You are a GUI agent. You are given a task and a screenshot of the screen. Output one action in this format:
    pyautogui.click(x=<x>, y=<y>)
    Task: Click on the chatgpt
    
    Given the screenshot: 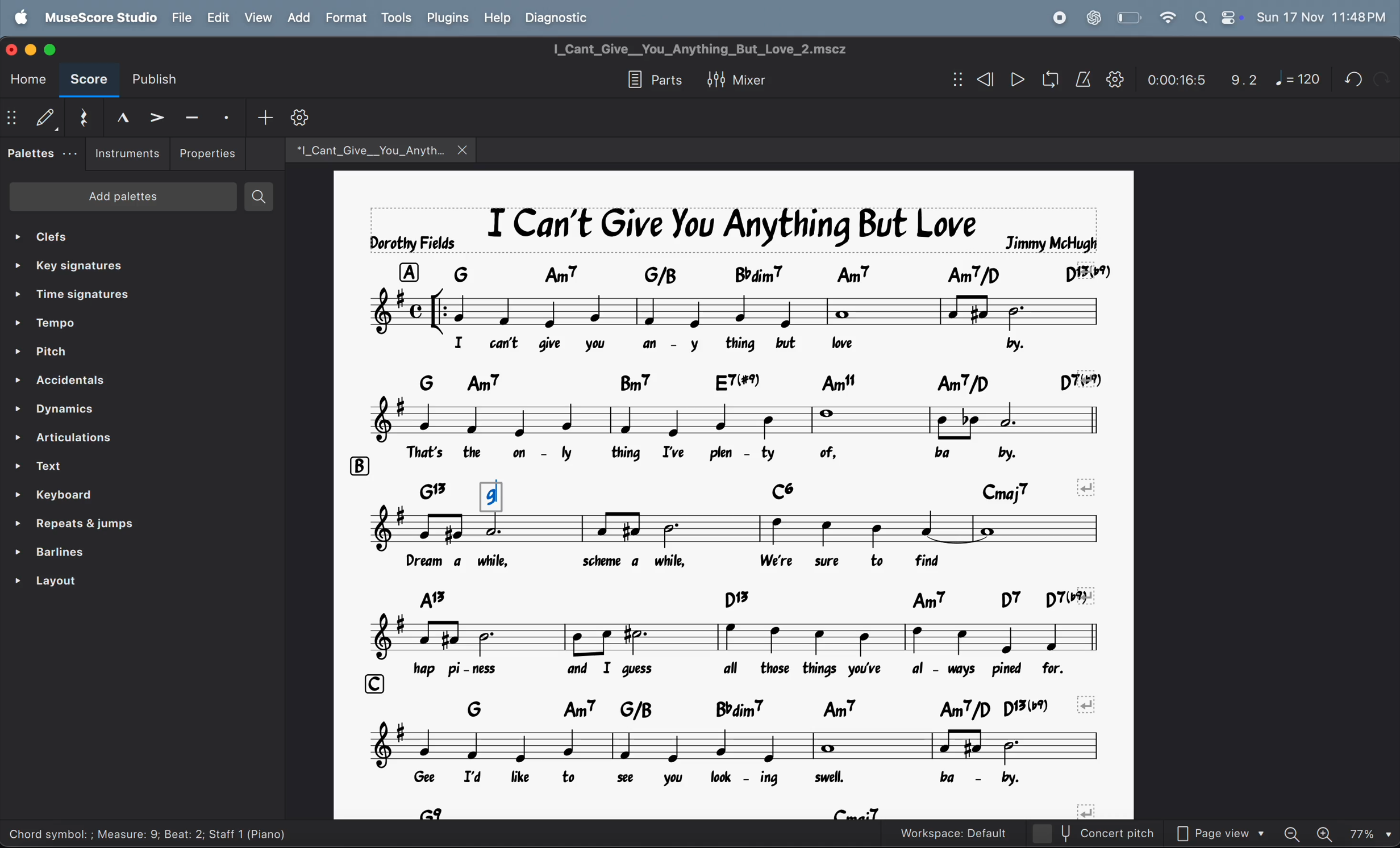 What is the action you would take?
    pyautogui.click(x=1094, y=18)
    